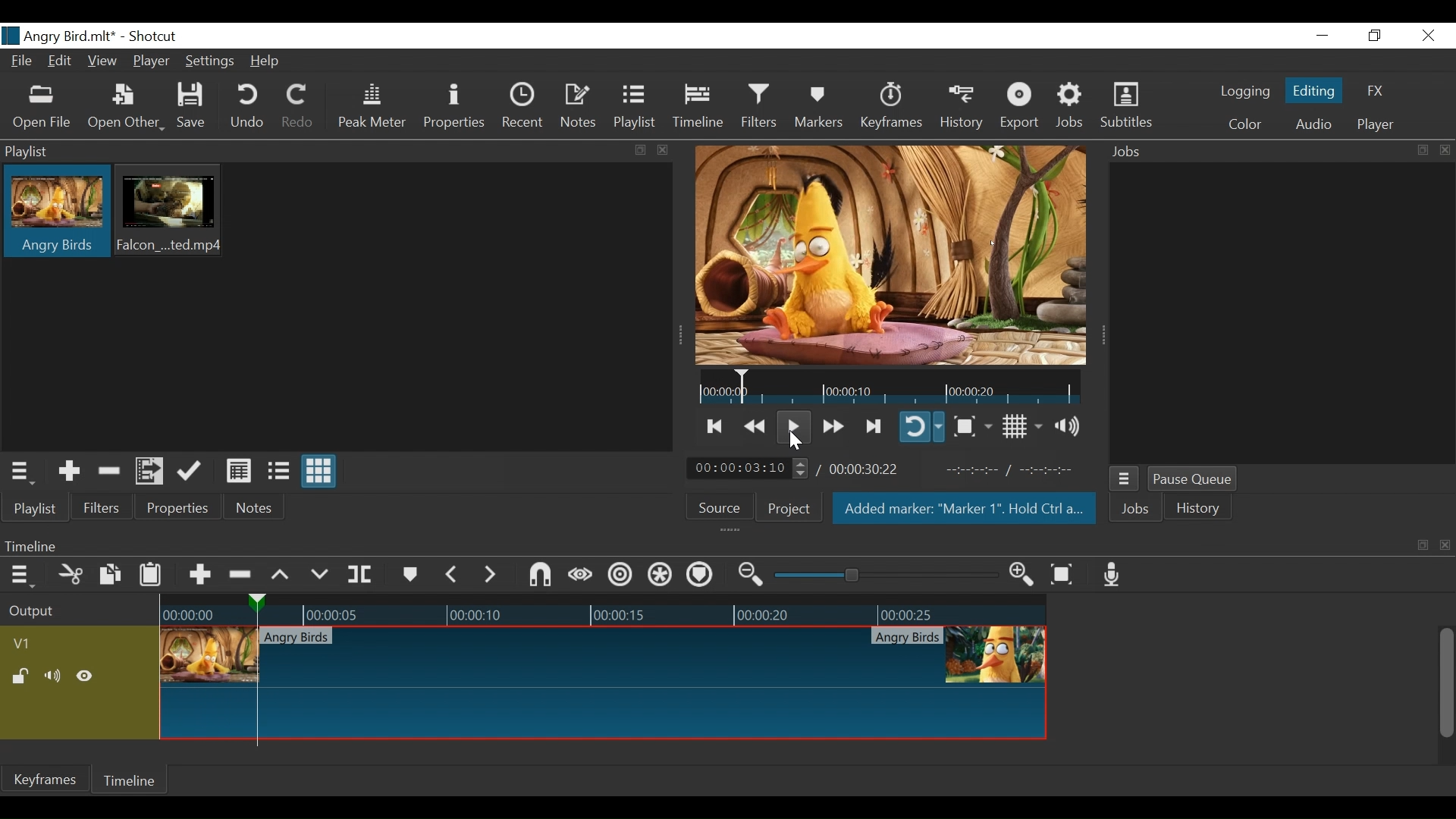 The width and height of the screenshot is (1456, 819). What do you see at coordinates (242, 573) in the screenshot?
I see `Ripple Delete` at bounding box center [242, 573].